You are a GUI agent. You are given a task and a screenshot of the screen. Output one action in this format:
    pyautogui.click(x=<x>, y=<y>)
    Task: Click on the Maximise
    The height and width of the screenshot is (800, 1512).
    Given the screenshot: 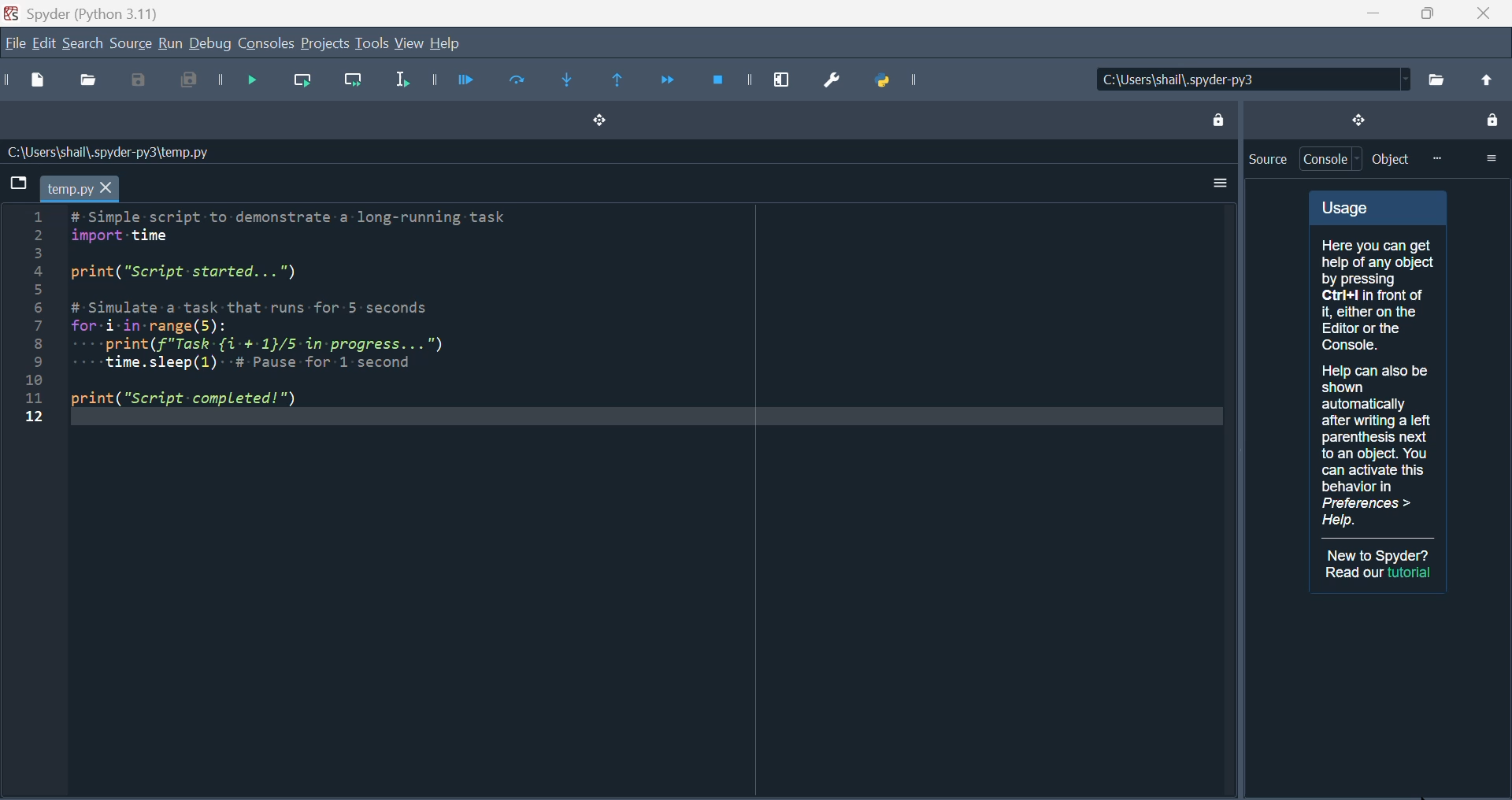 What is the action you would take?
    pyautogui.click(x=1421, y=13)
    